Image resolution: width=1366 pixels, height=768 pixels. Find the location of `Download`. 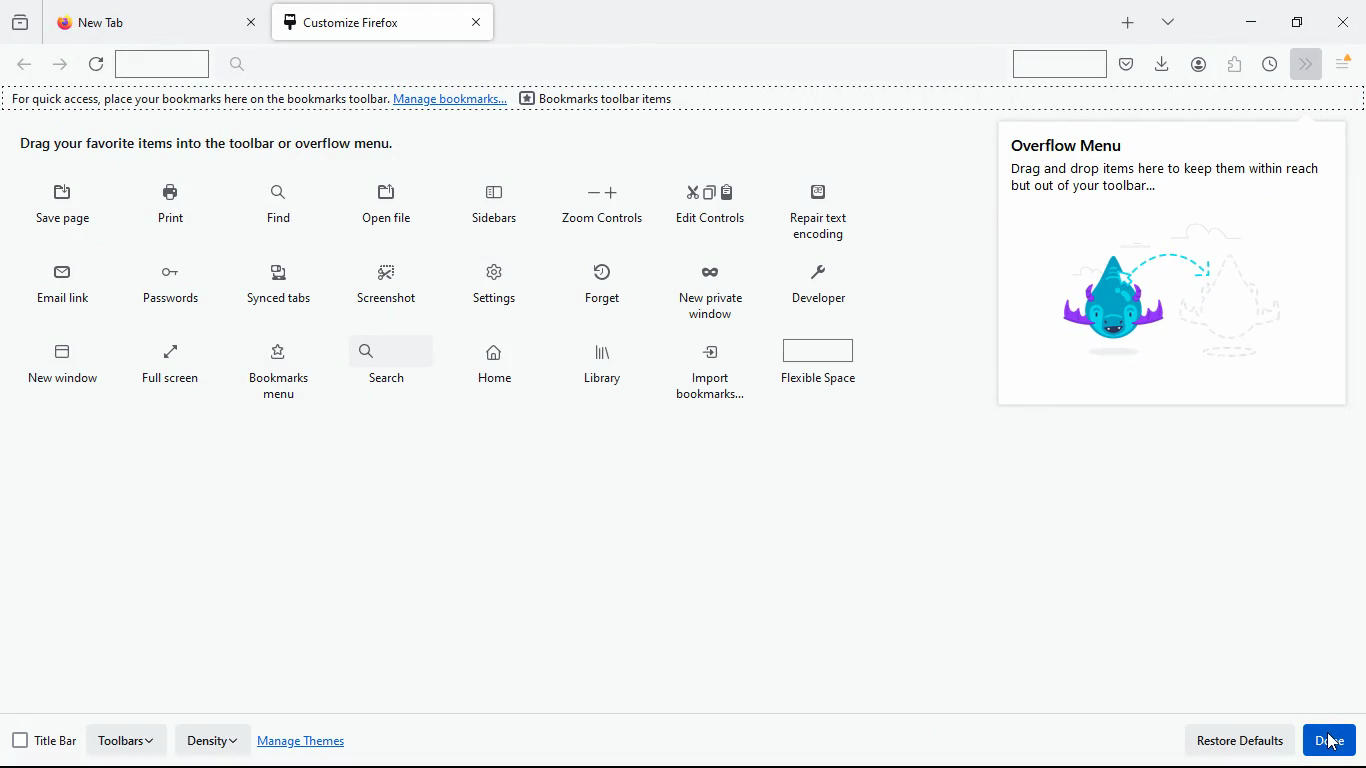

Download is located at coordinates (1165, 63).